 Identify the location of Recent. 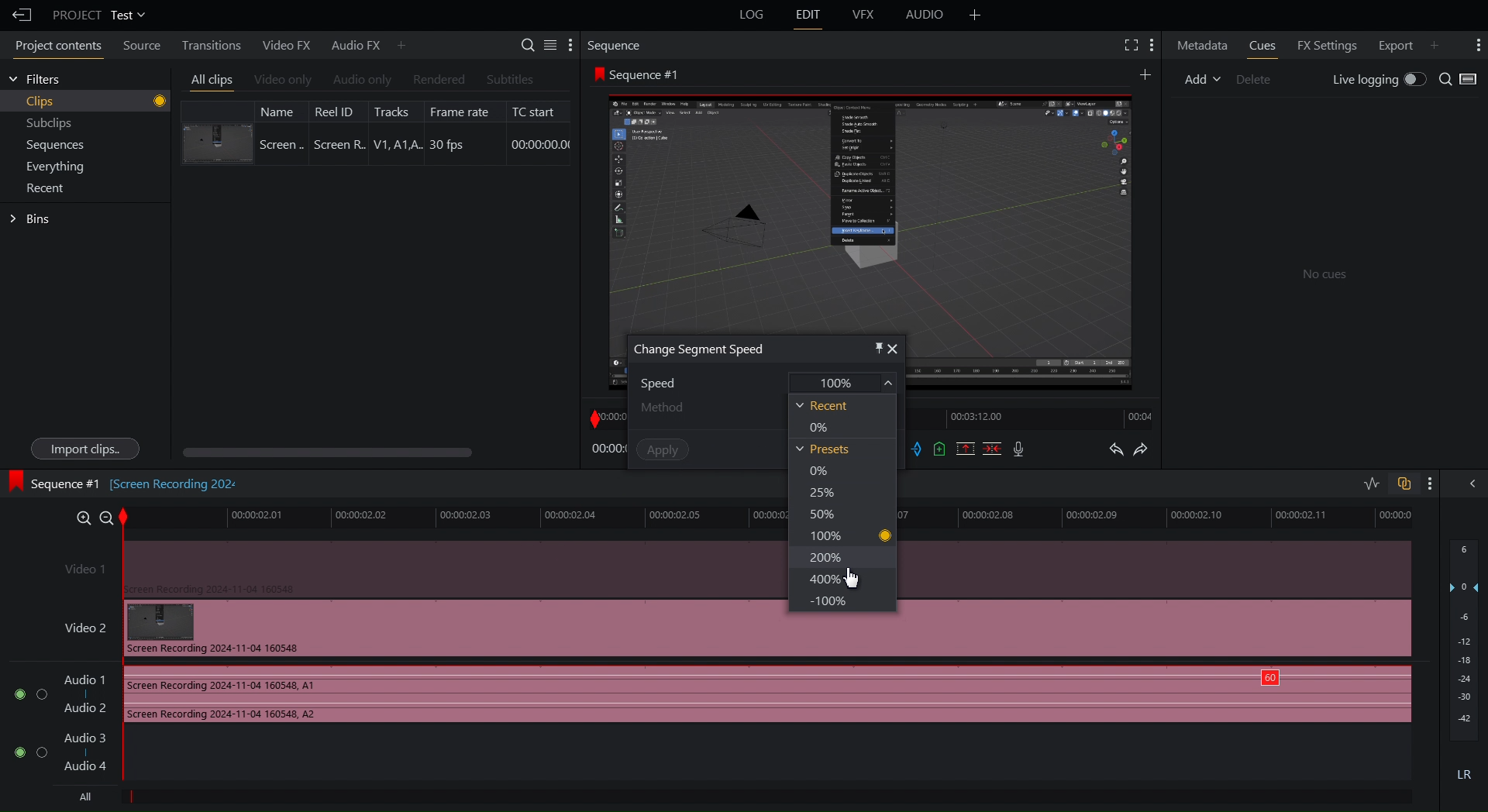
(821, 405).